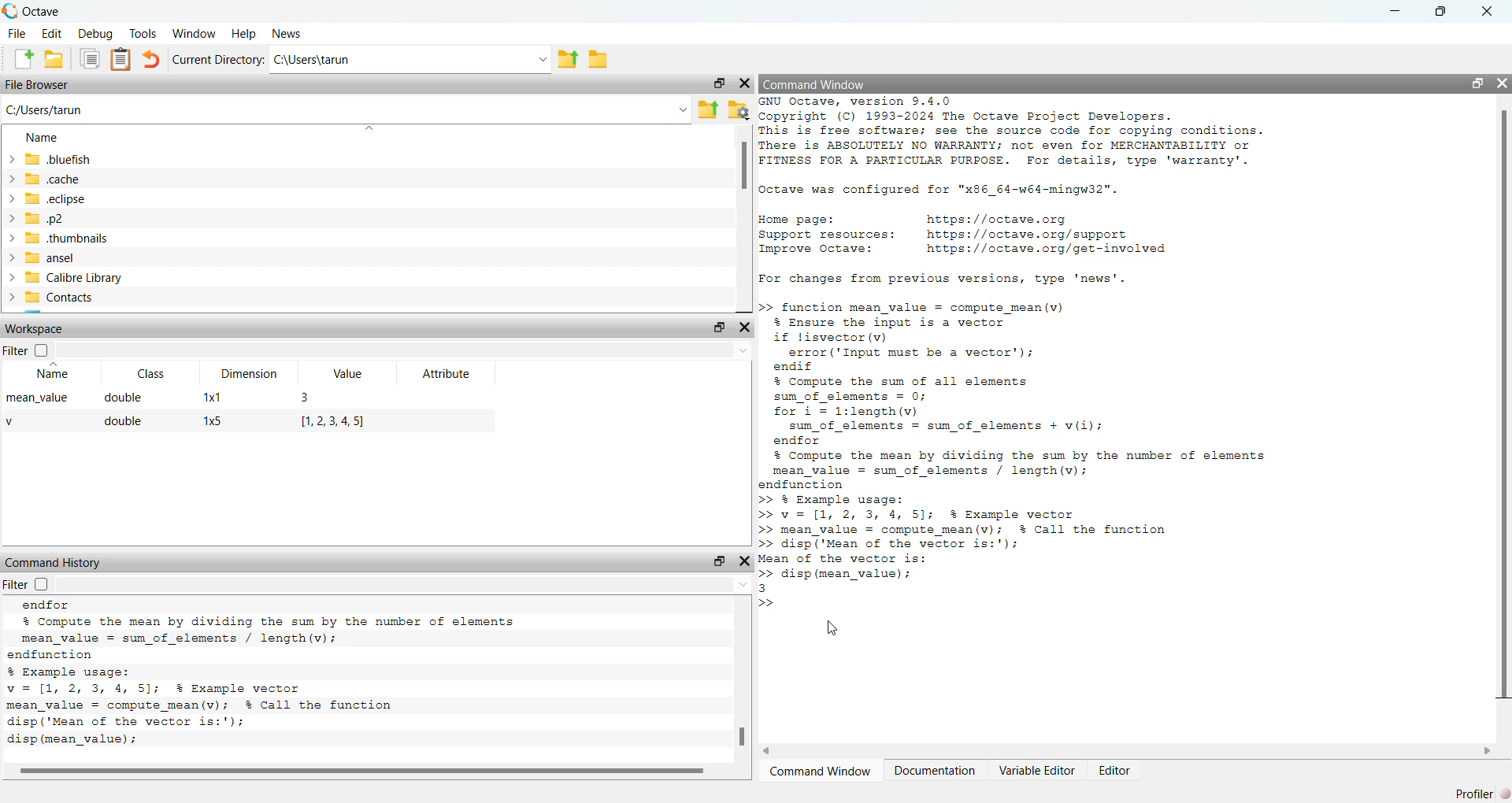  What do you see at coordinates (50, 259) in the screenshot?
I see `ansel` at bounding box center [50, 259].